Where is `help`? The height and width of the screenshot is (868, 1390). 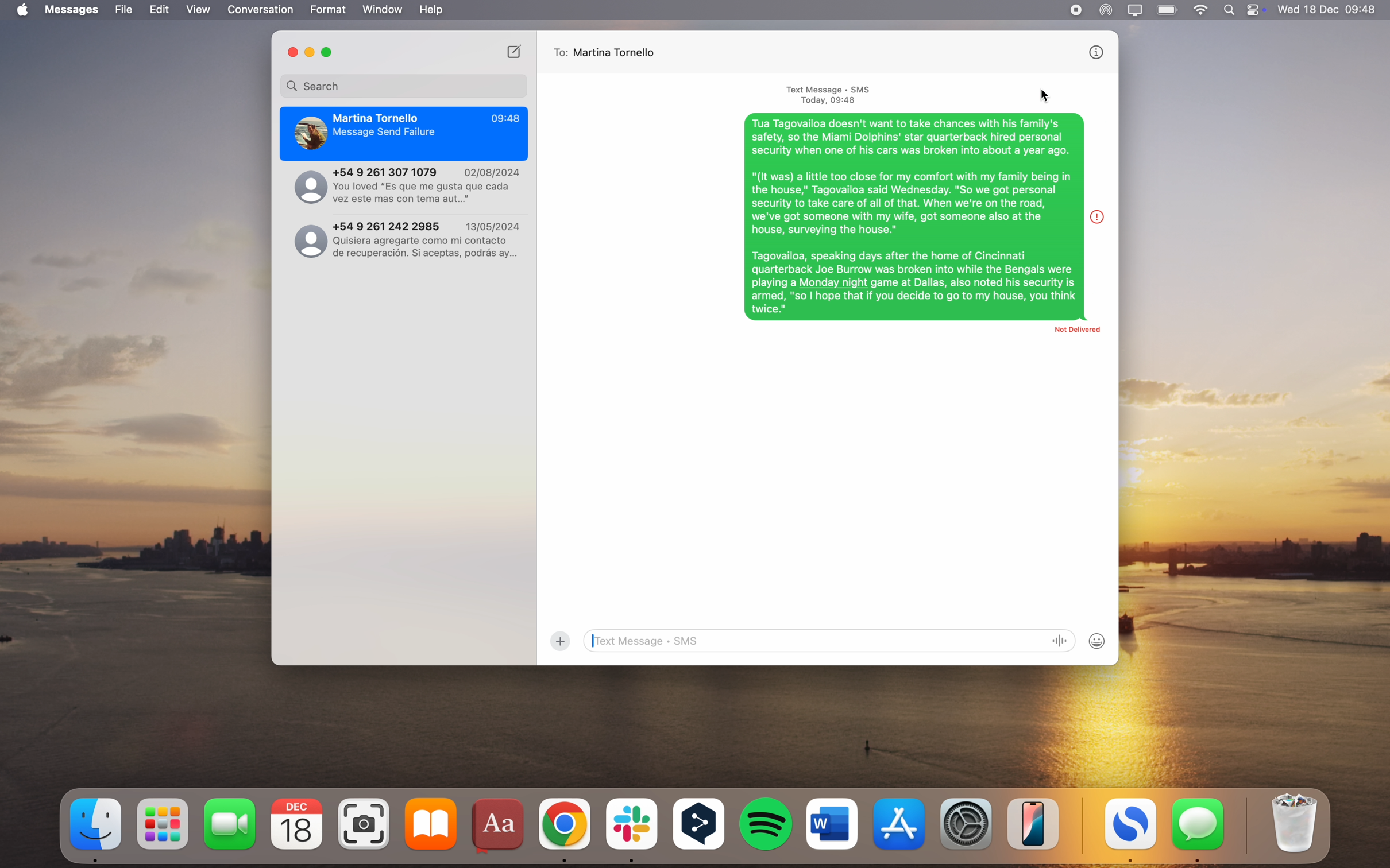
help is located at coordinates (431, 10).